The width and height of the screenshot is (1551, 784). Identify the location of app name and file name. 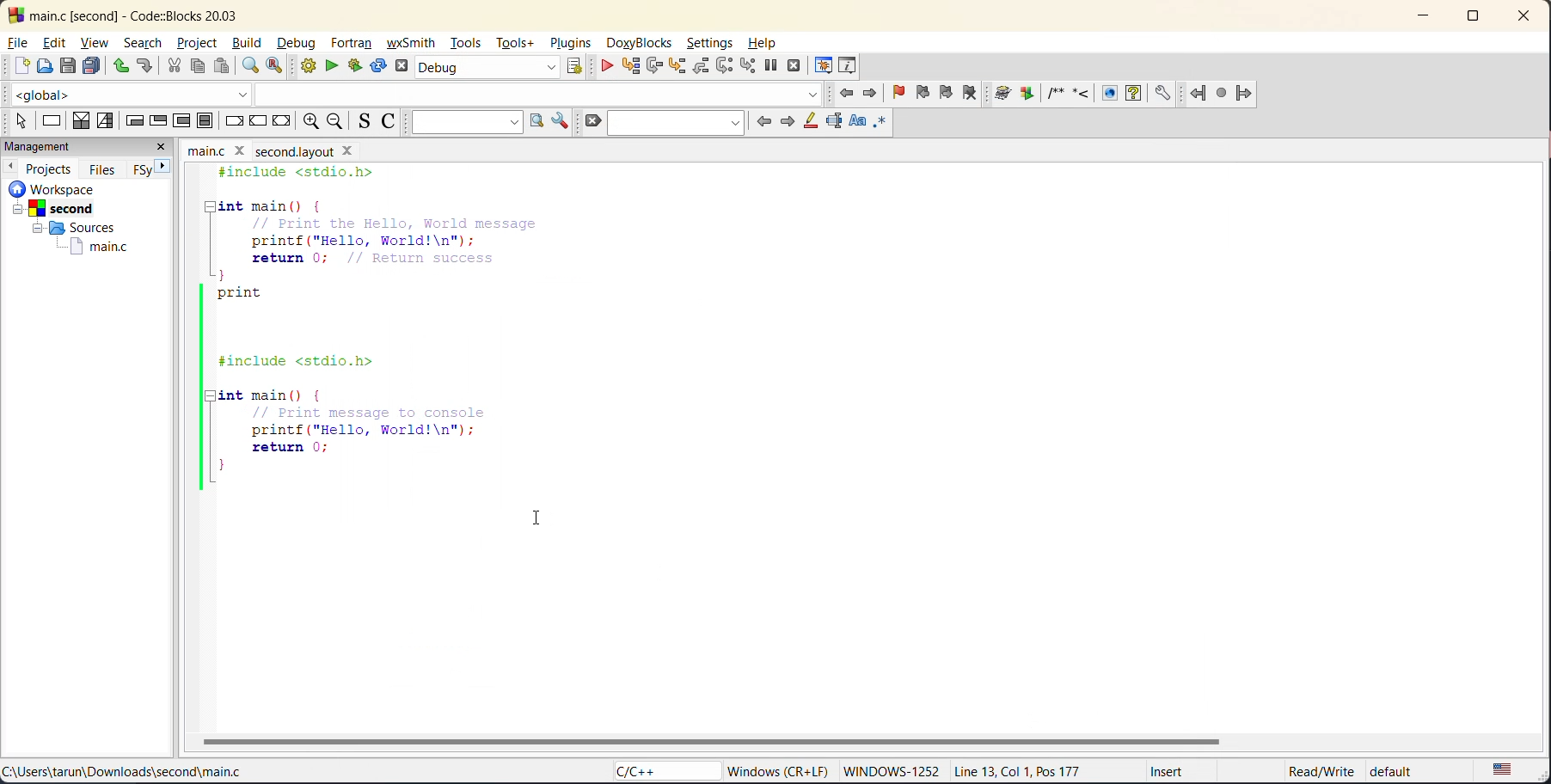
(152, 13).